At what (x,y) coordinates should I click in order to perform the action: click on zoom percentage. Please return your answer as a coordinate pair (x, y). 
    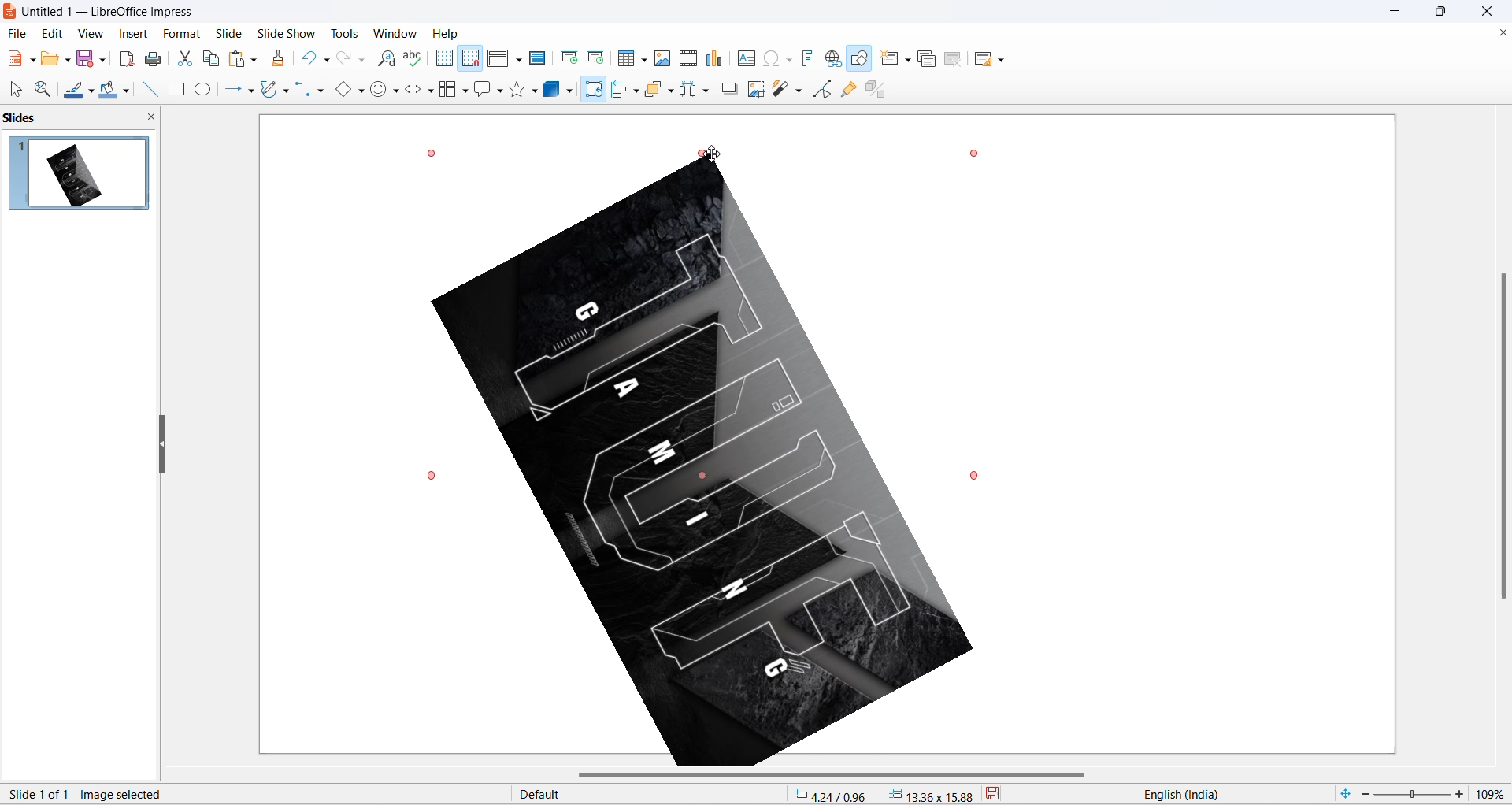
    Looking at the image, I should click on (1493, 792).